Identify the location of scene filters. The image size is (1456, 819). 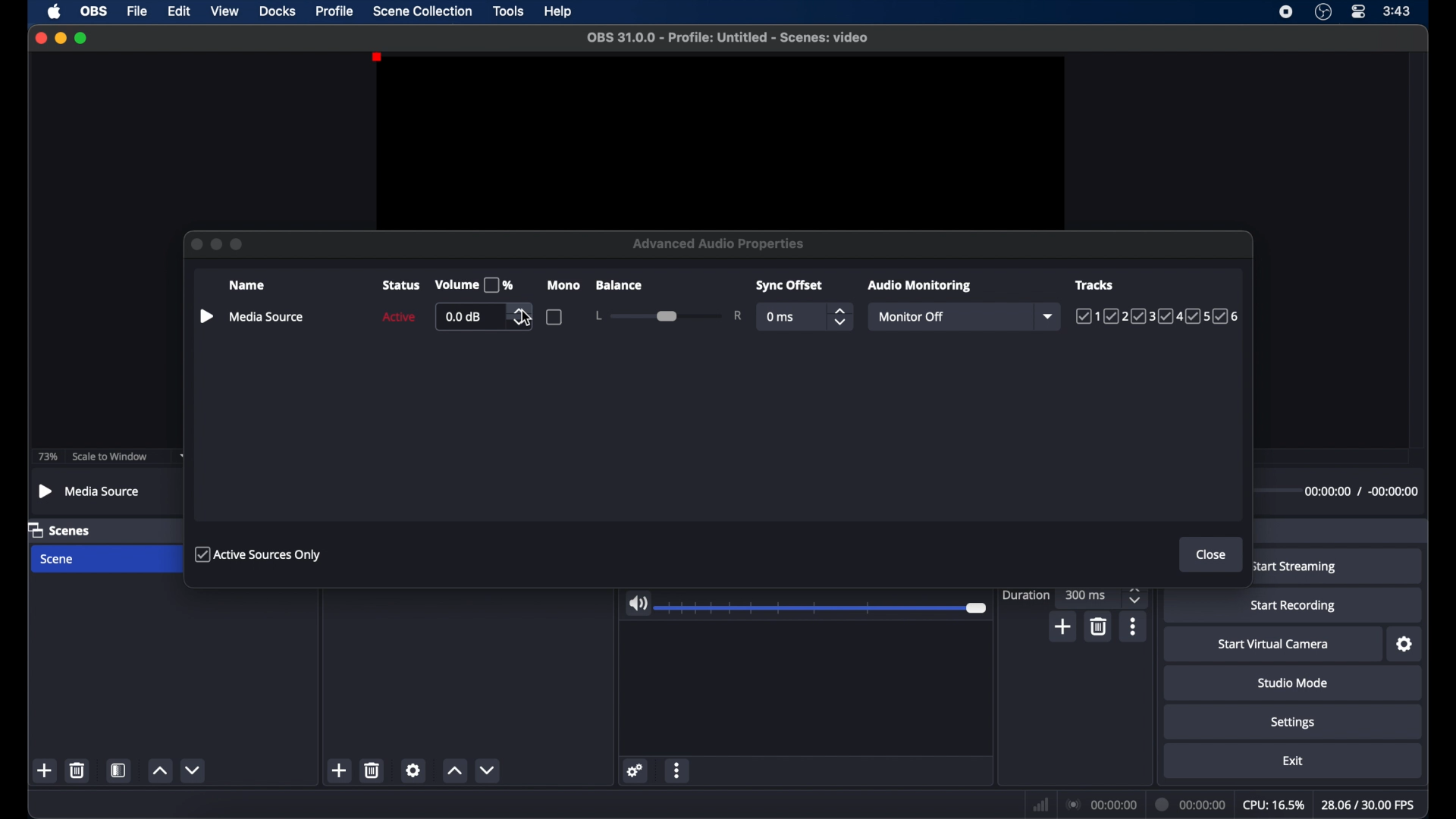
(119, 770).